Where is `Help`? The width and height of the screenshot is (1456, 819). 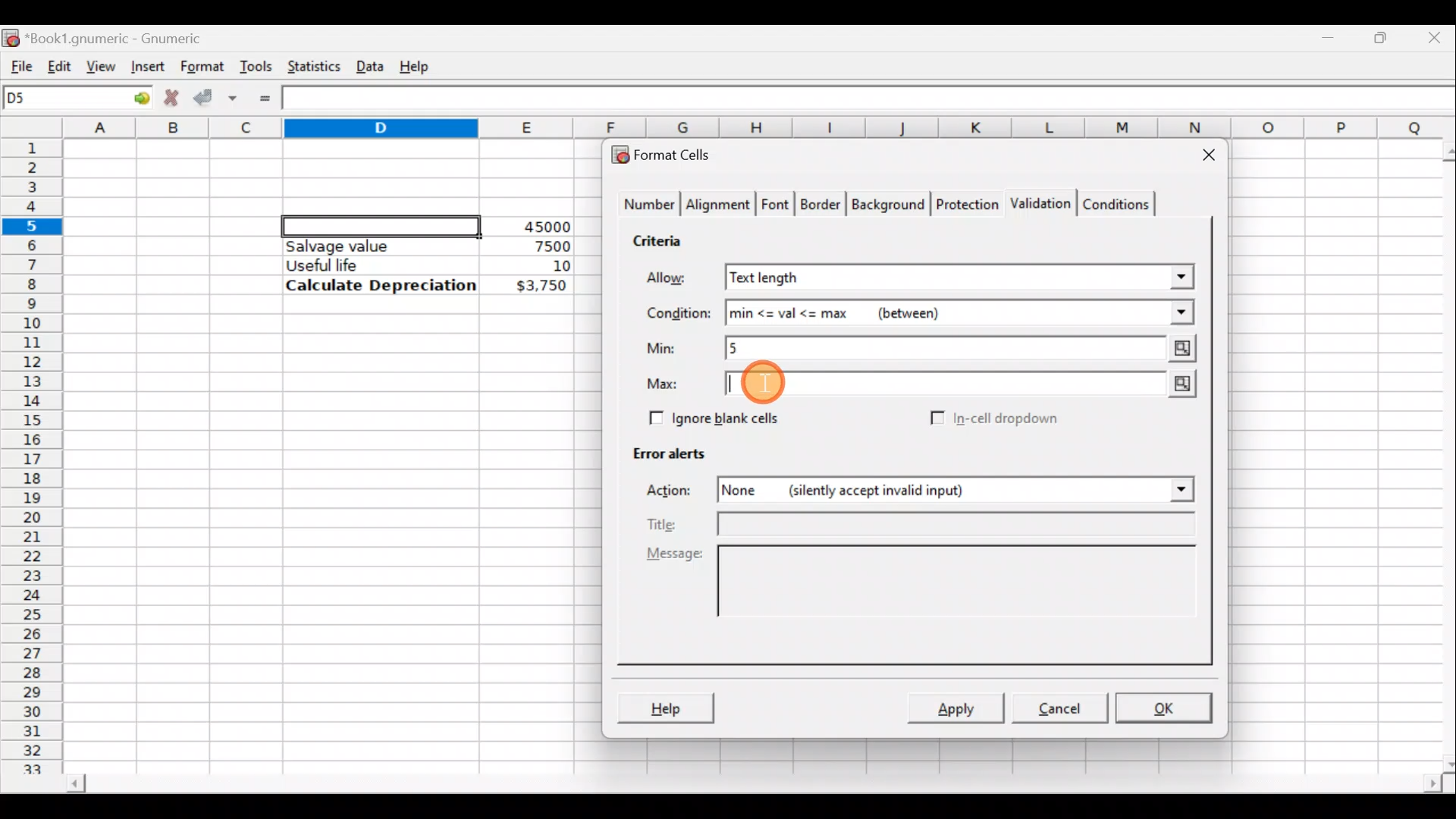 Help is located at coordinates (665, 710).